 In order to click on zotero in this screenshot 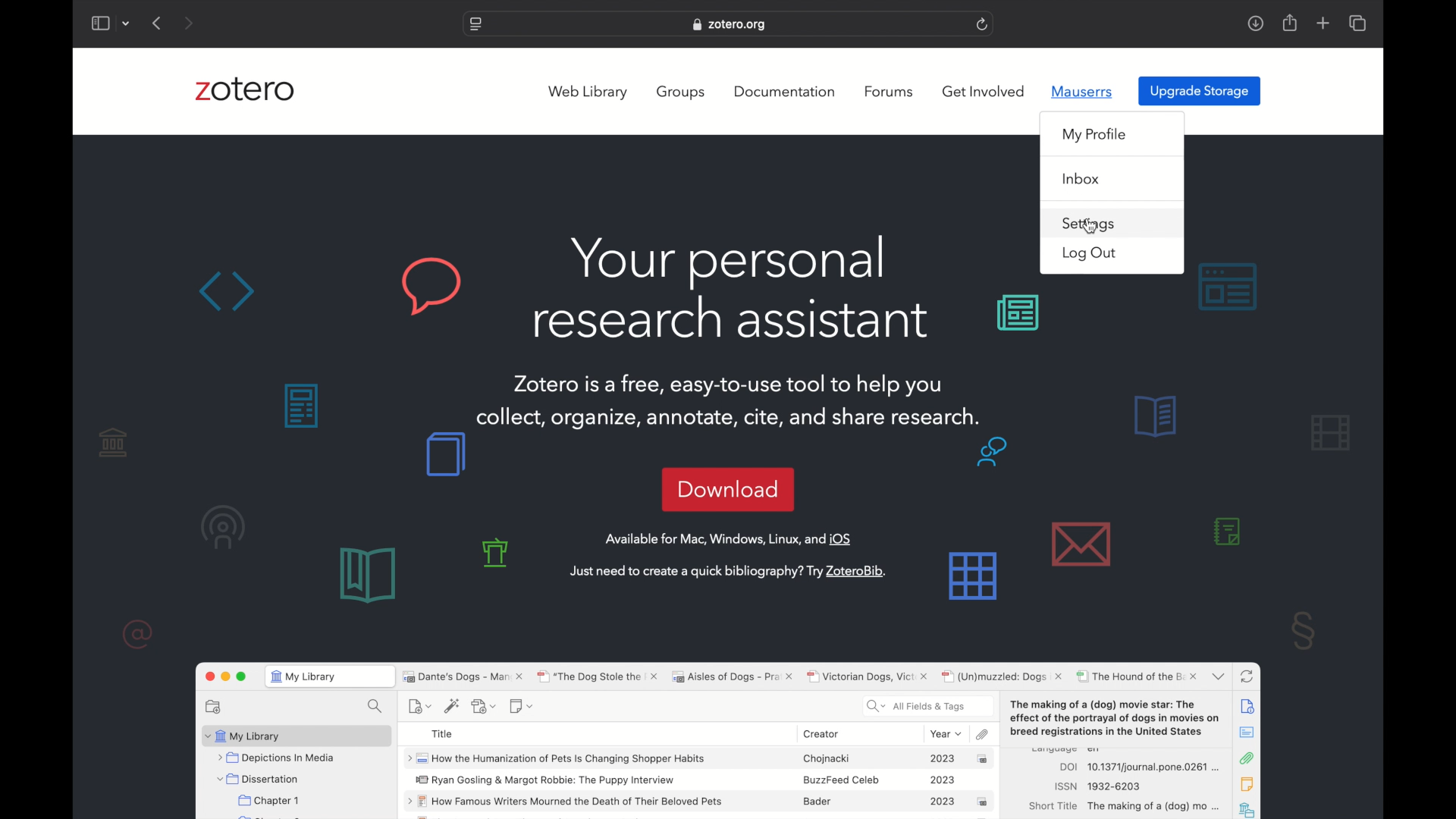, I will do `click(244, 89)`.